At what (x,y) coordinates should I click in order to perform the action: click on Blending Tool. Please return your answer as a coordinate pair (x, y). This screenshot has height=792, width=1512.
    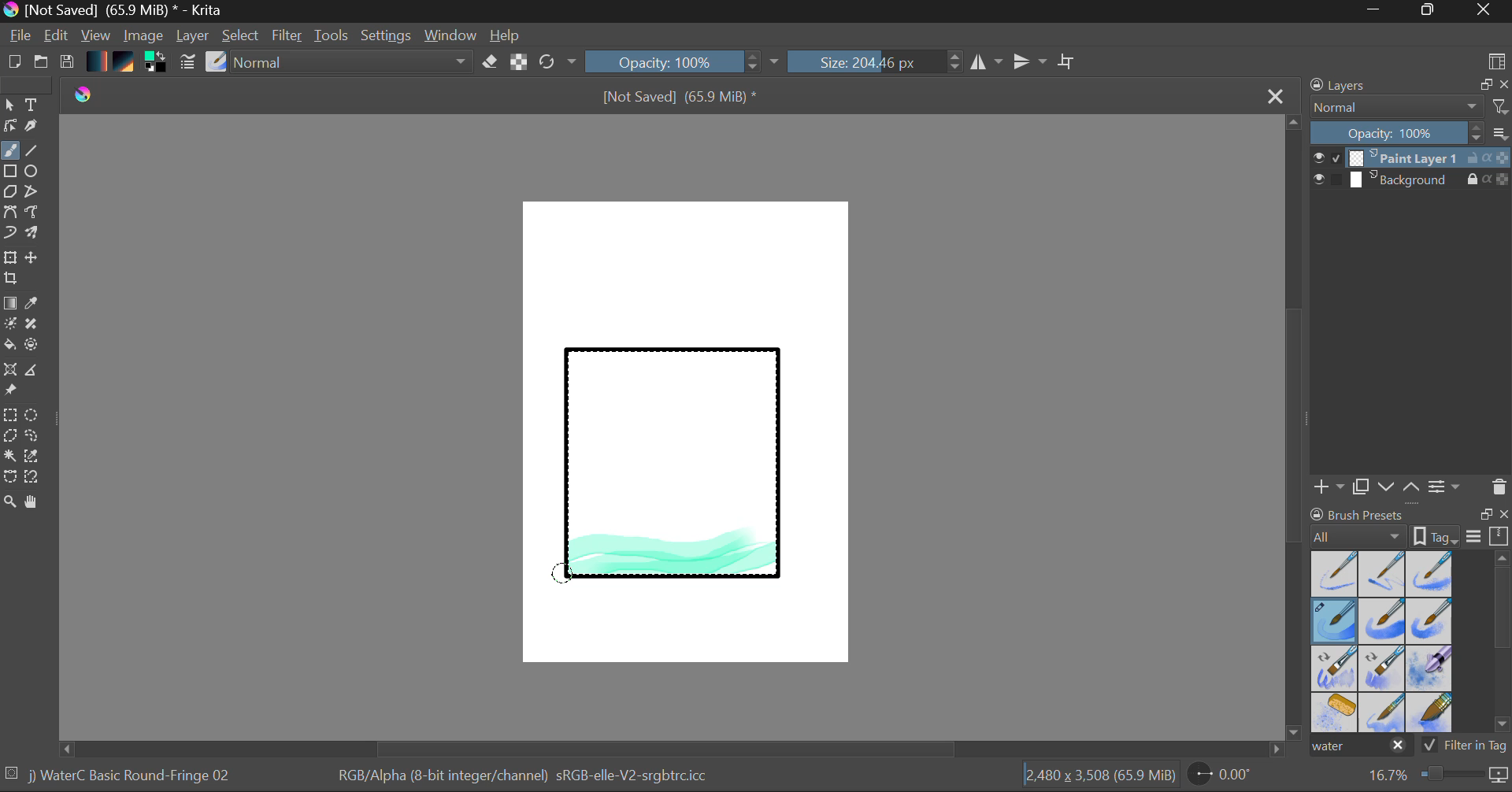
    Looking at the image, I should click on (354, 63).